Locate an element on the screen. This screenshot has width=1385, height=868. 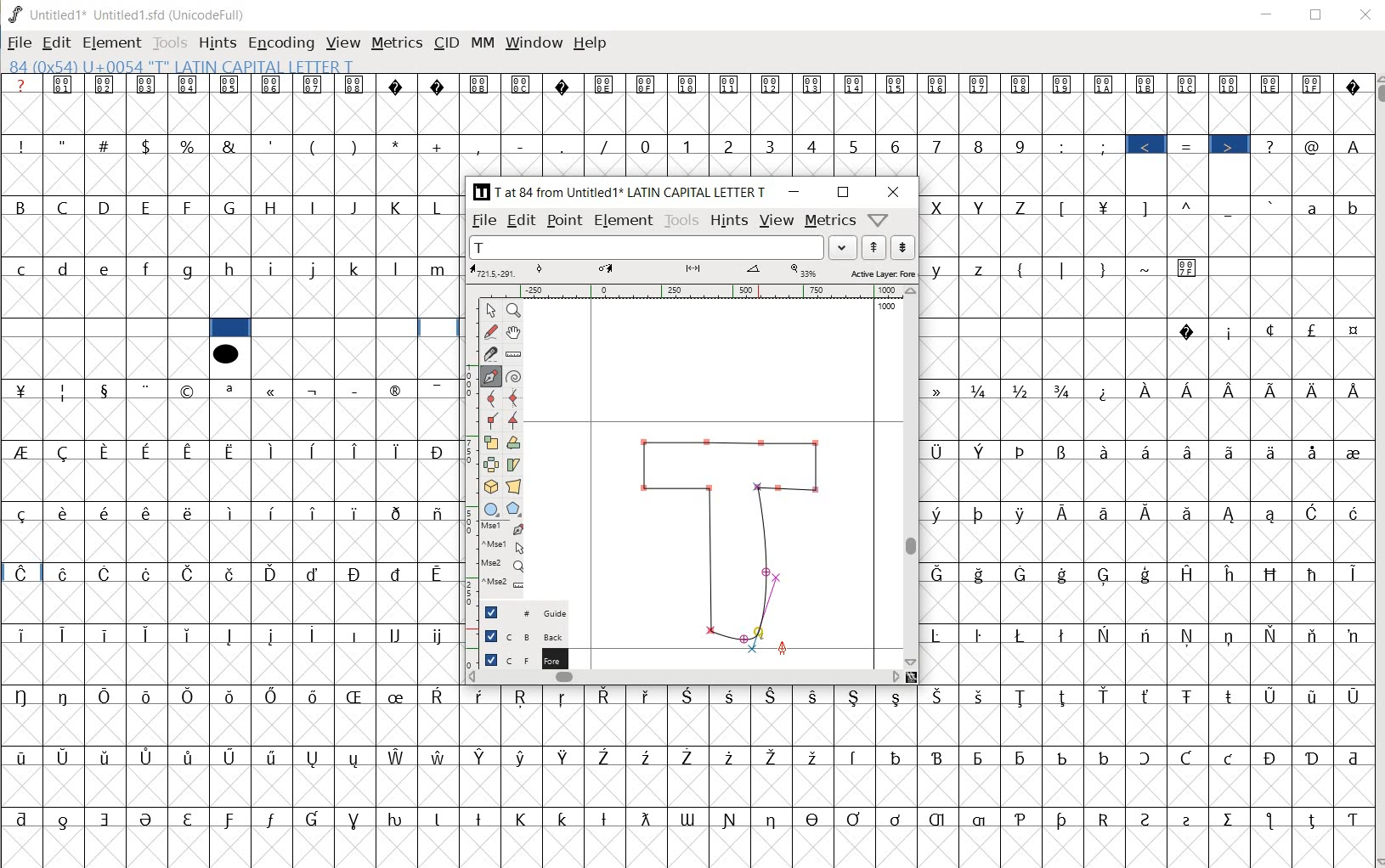
l is located at coordinates (399, 268).